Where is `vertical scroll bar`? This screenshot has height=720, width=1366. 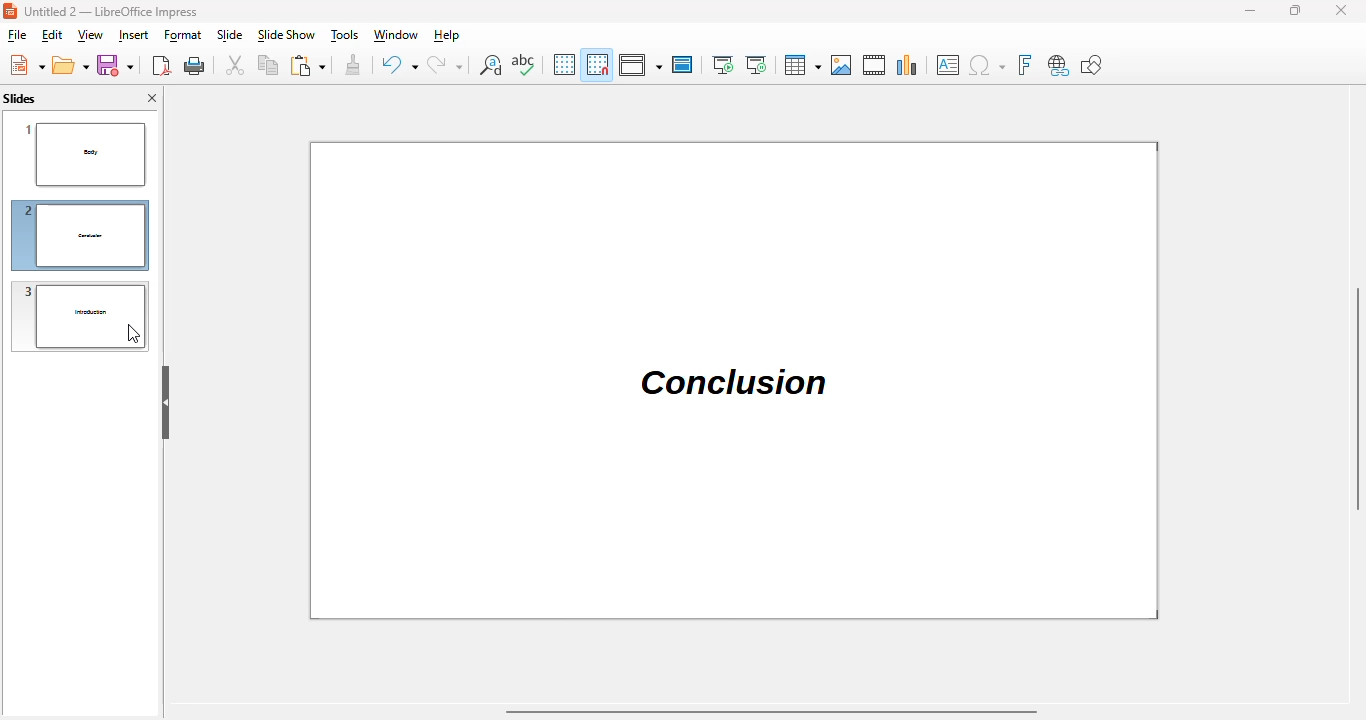 vertical scroll bar is located at coordinates (1357, 397).